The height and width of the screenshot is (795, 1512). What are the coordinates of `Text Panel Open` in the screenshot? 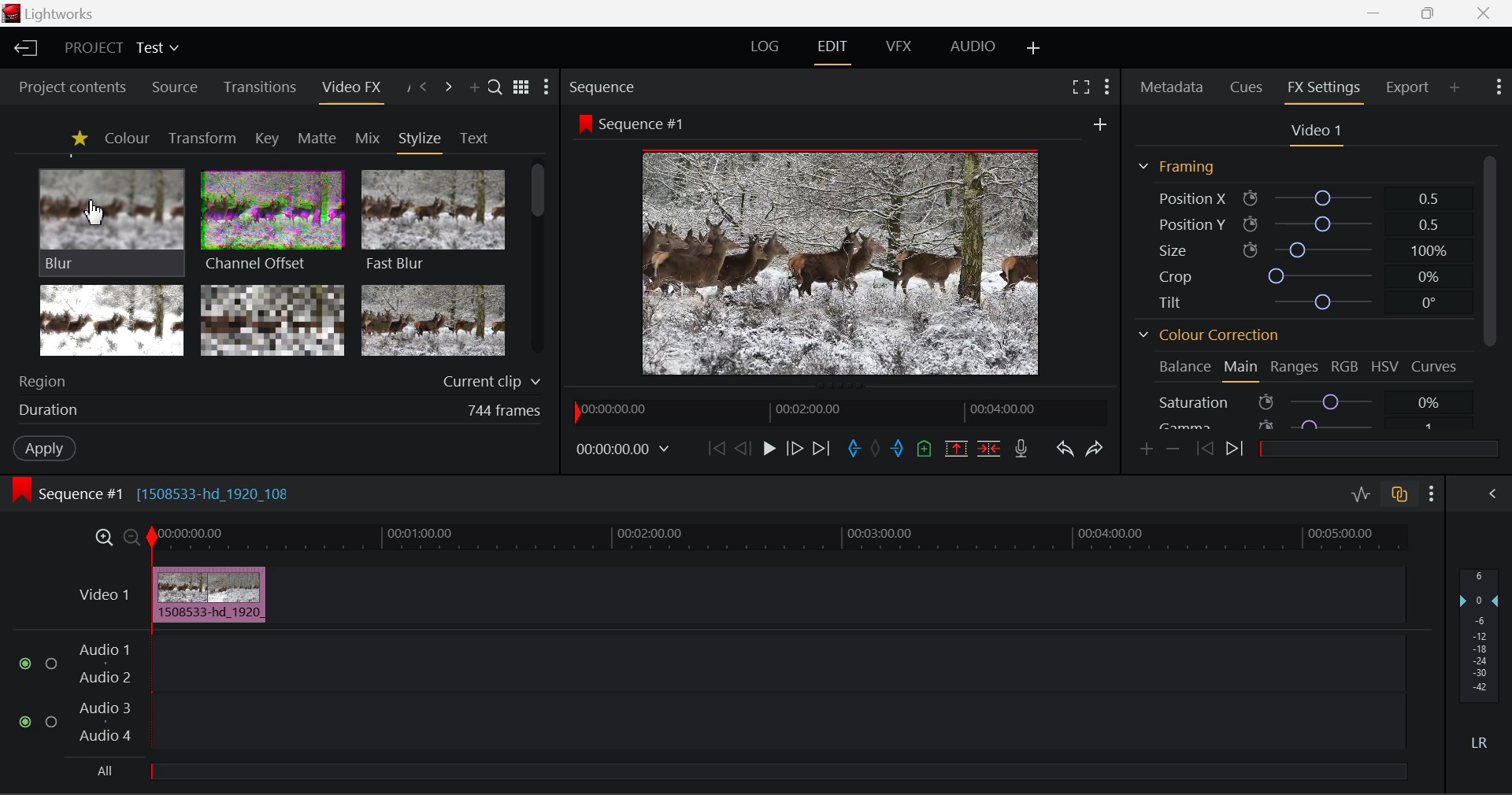 It's located at (476, 137).